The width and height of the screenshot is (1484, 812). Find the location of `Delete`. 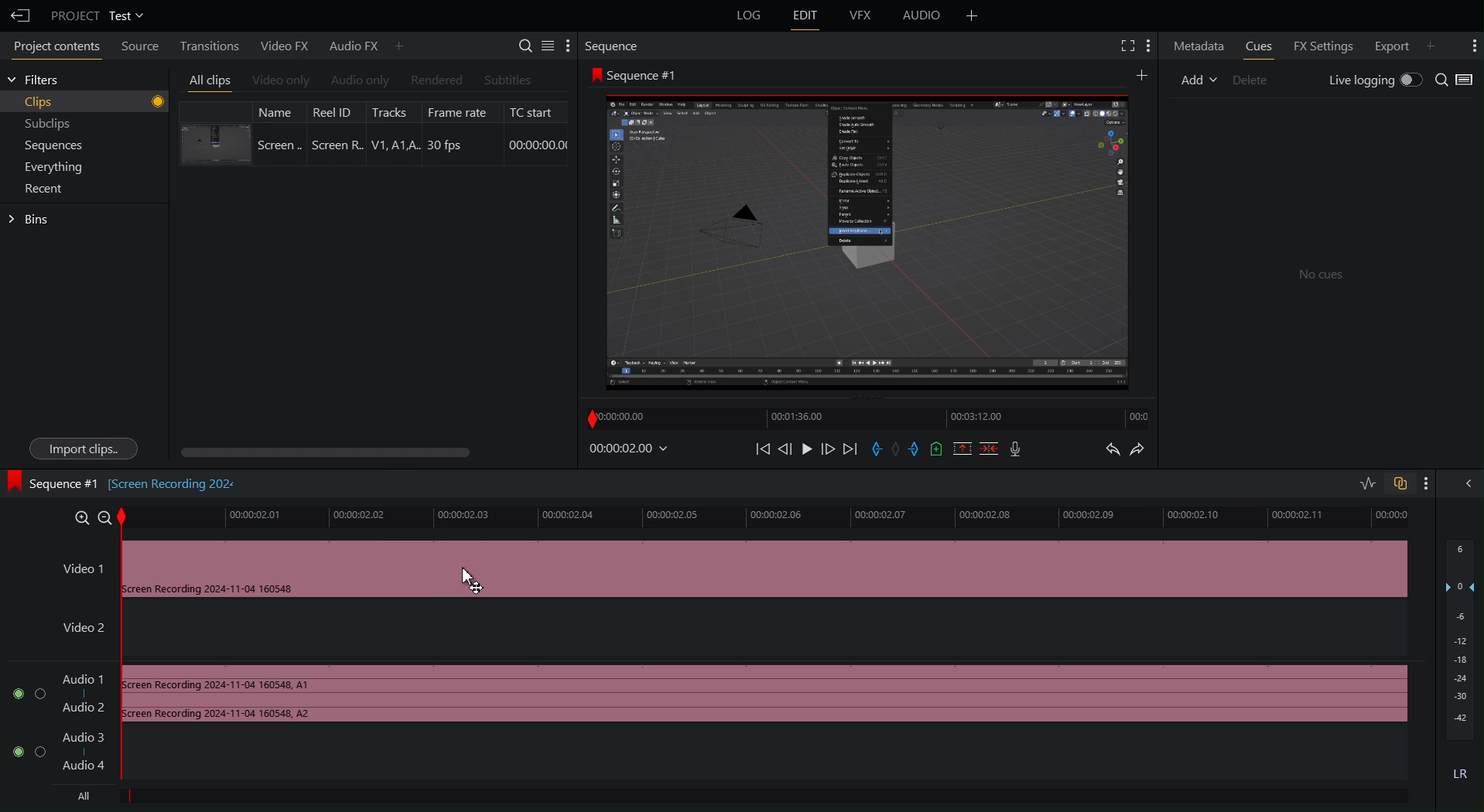

Delete is located at coordinates (1249, 78).